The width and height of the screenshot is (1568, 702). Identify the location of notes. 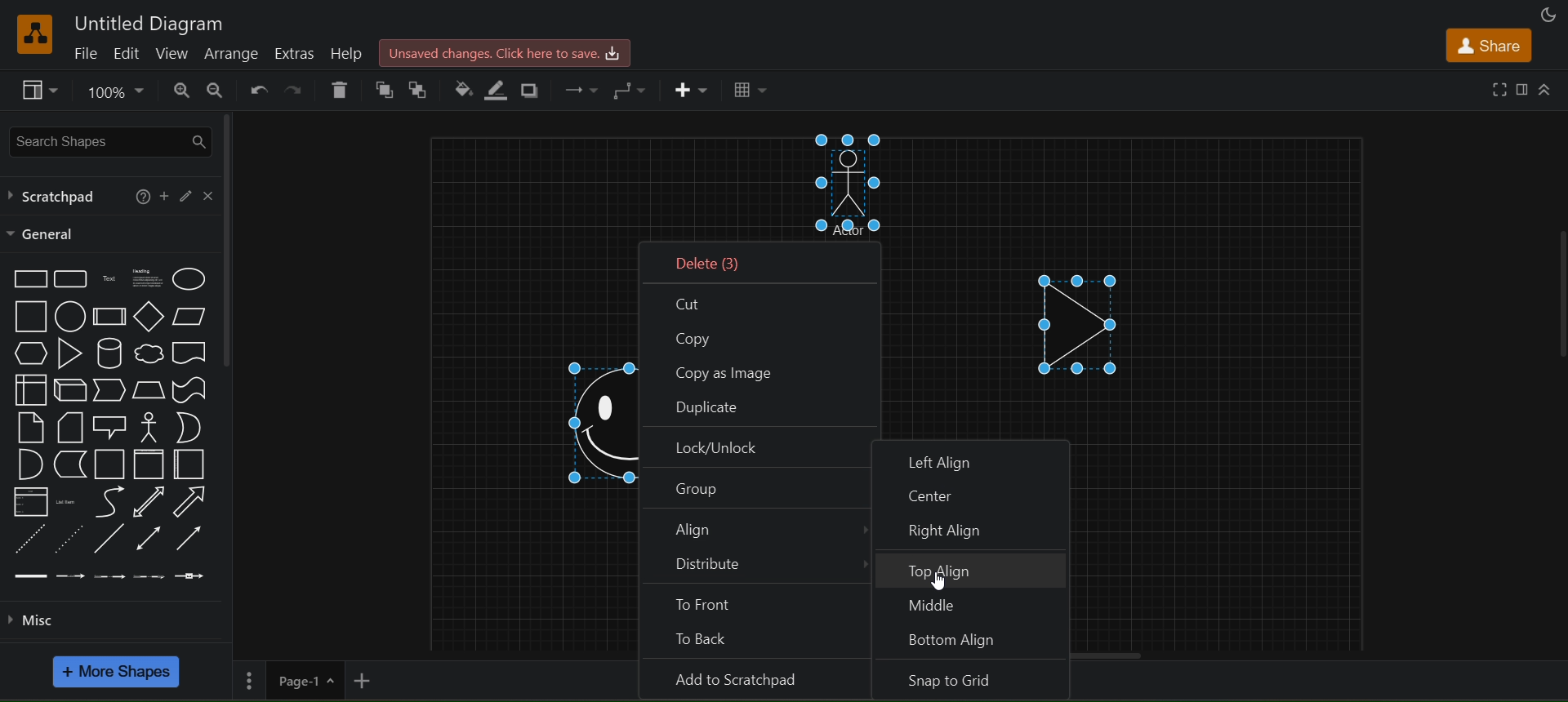
(26, 426).